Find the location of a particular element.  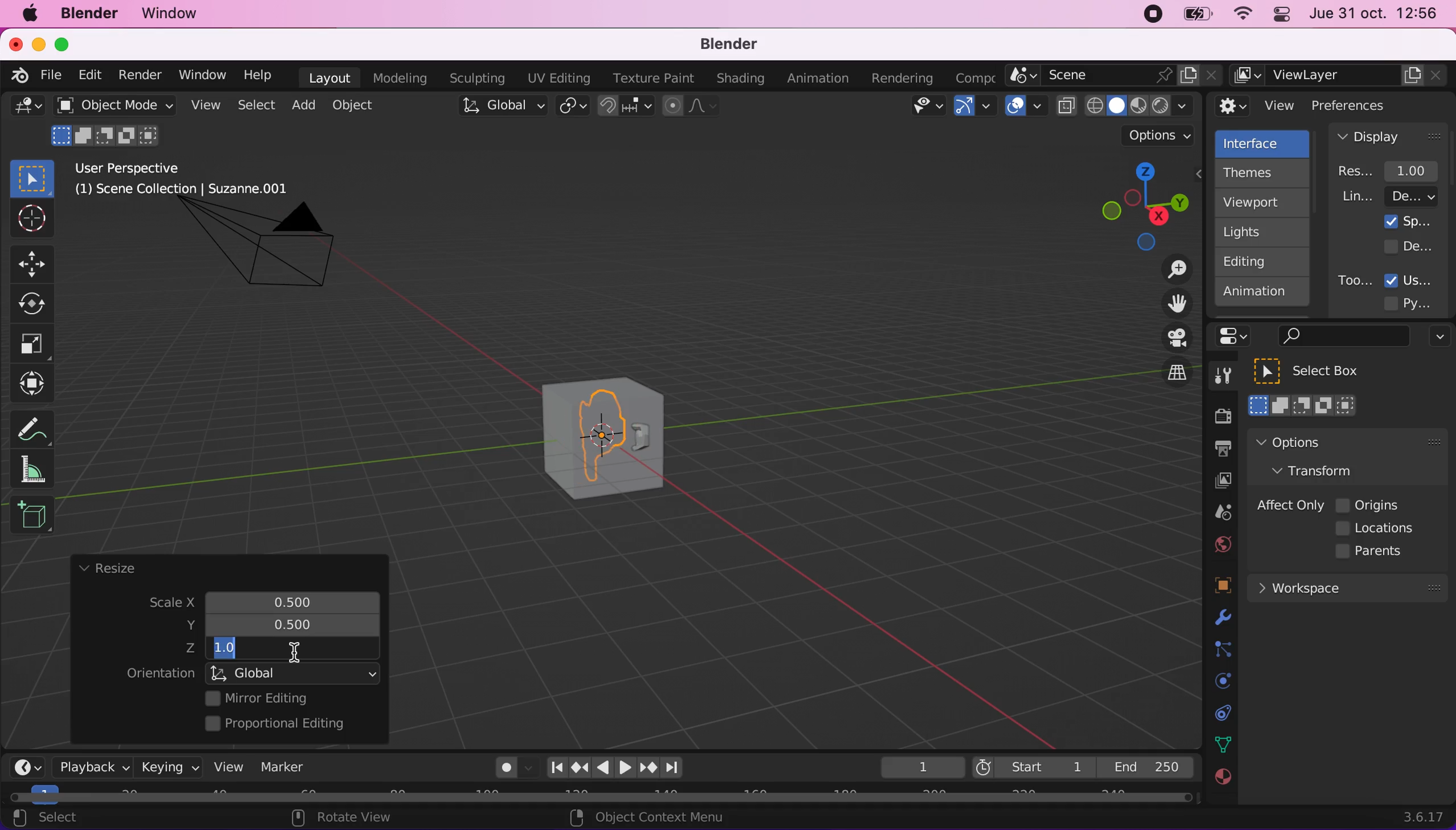

texture is located at coordinates (1221, 783).